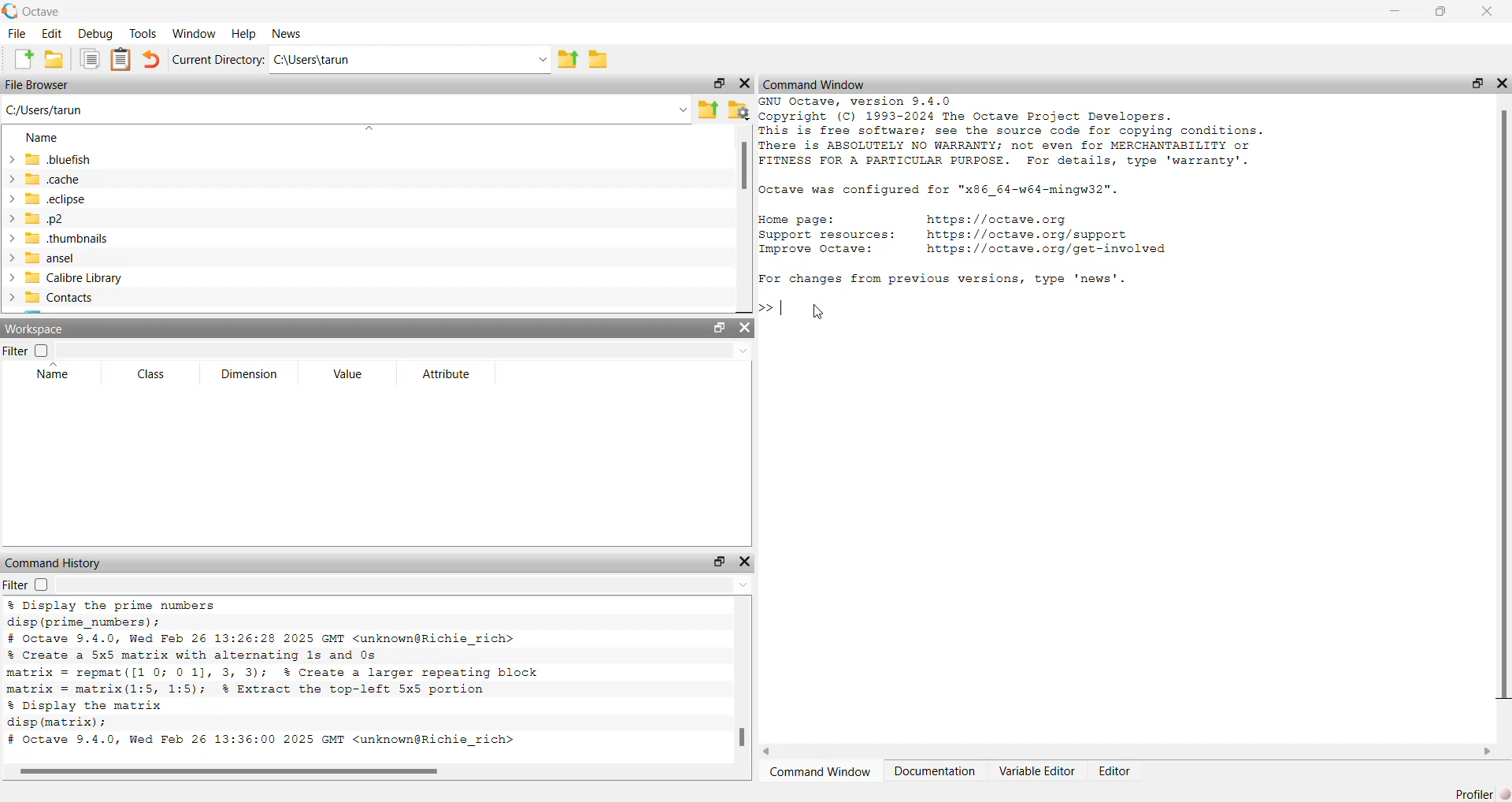 This screenshot has height=802, width=1512. Describe the element at coordinates (1503, 80) in the screenshot. I see `hide widget` at that location.